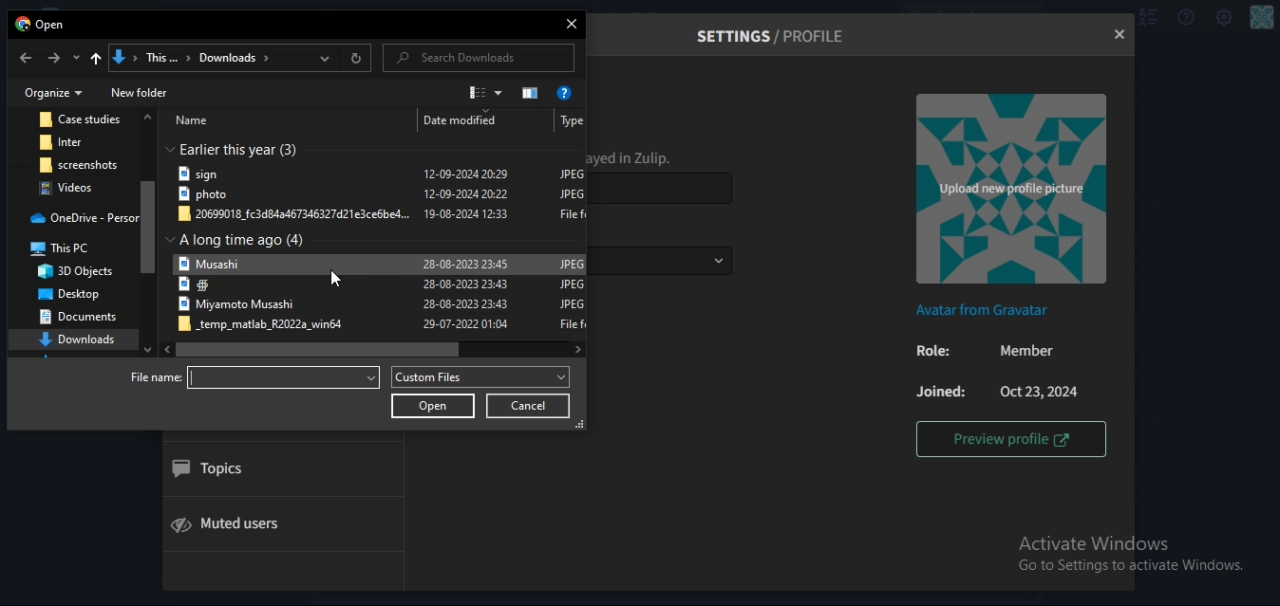 This screenshot has height=606, width=1280. What do you see at coordinates (150, 227) in the screenshot?
I see `scroll bar` at bounding box center [150, 227].